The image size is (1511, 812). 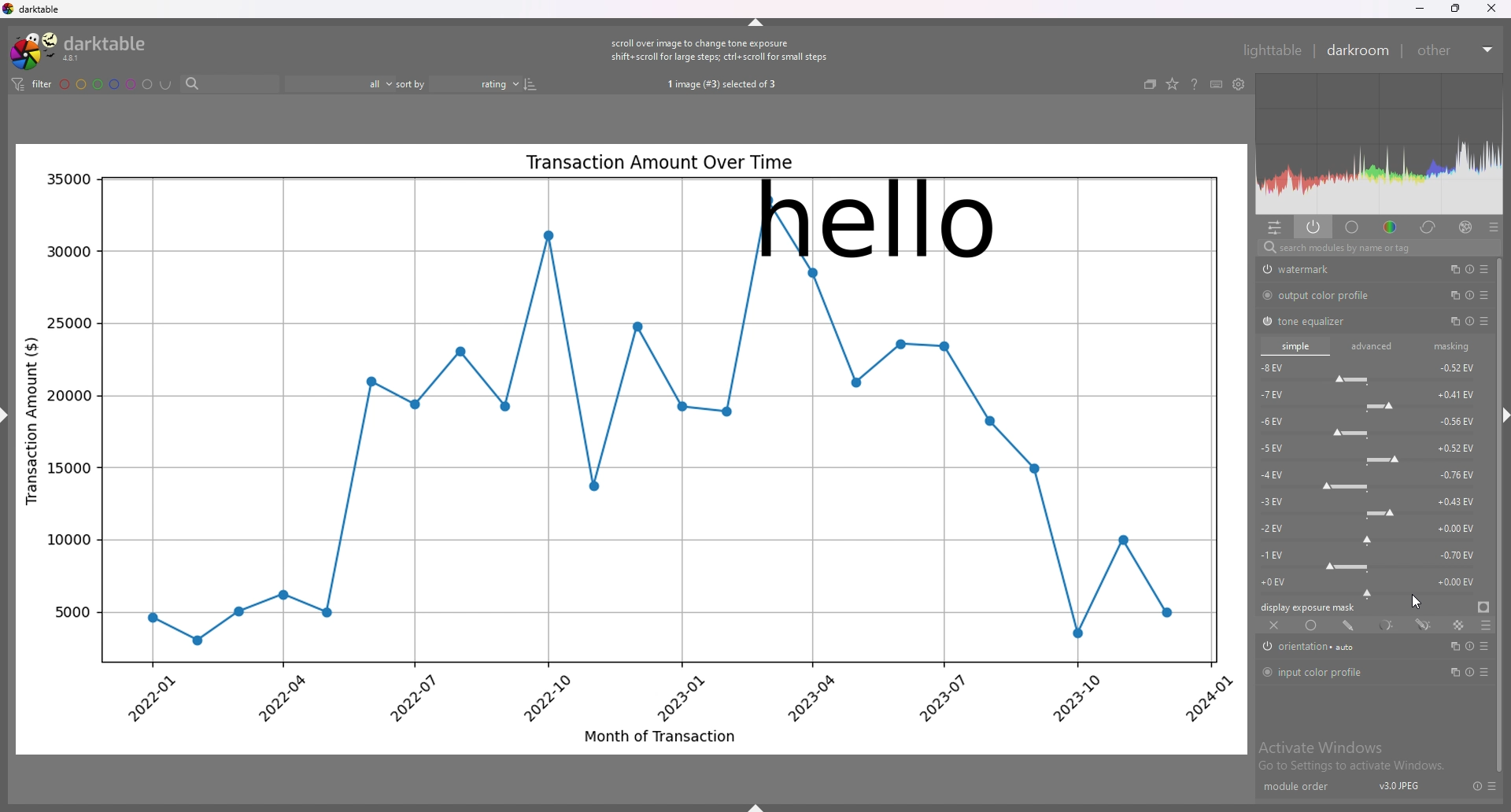 What do you see at coordinates (1372, 452) in the screenshot?
I see `-5 EV force` at bounding box center [1372, 452].